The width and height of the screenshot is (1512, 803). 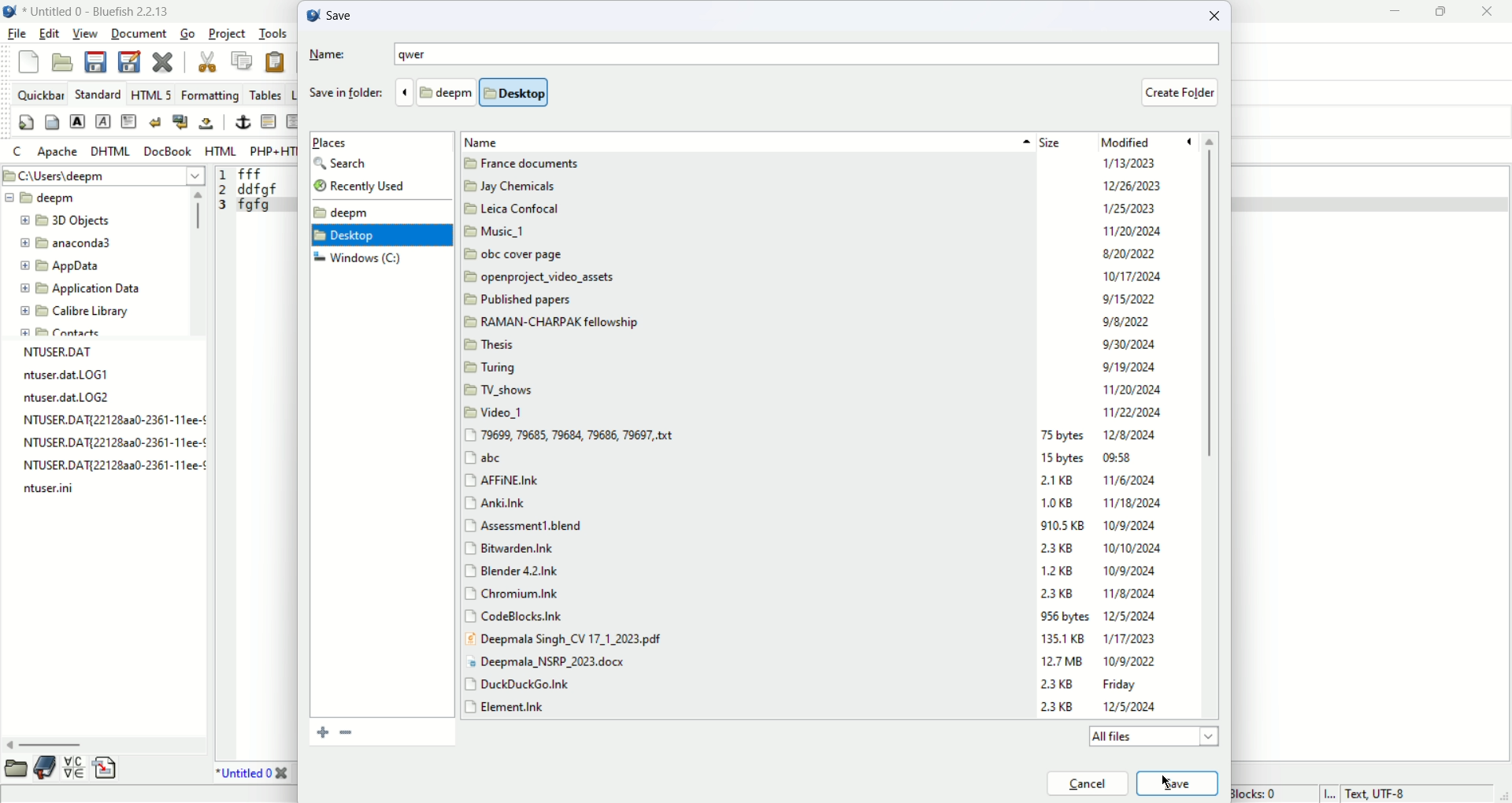 What do you see at coordinates (294, 122) in the screenshot?
I see `center` at bounding box center [294, 122].